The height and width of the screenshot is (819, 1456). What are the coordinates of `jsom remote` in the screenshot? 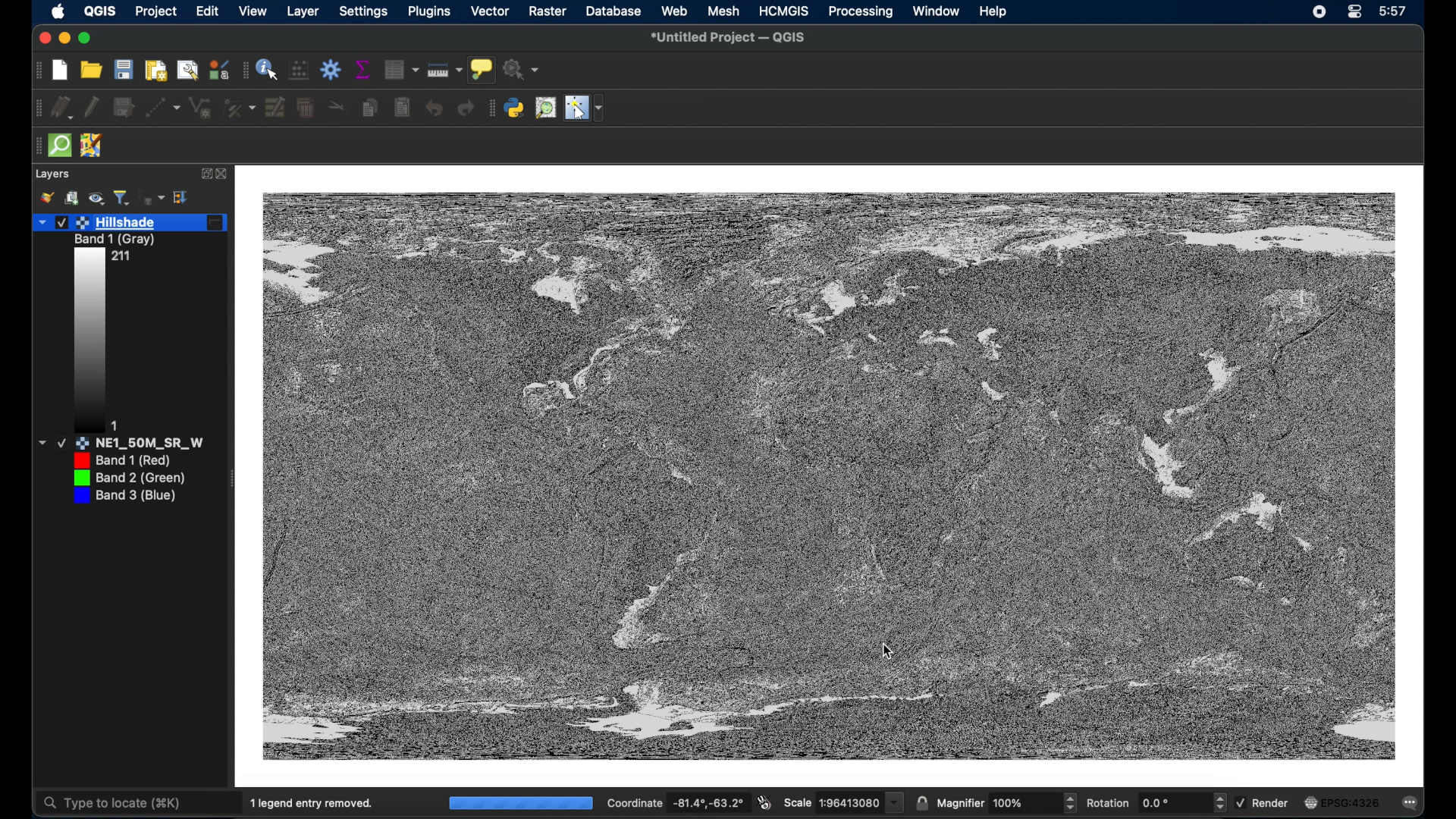 It's located at (93, 144).